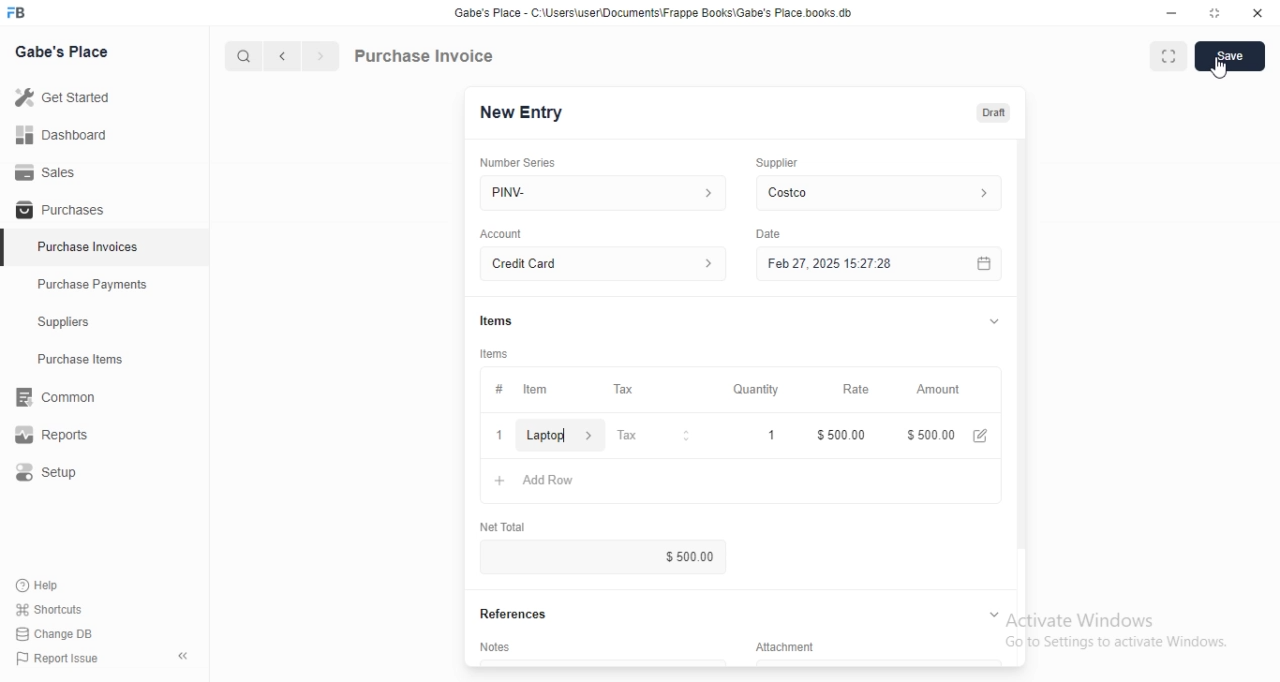 The height and width of the screenshot is (682, 1280). I want to click on Draft, so click(994, 113).